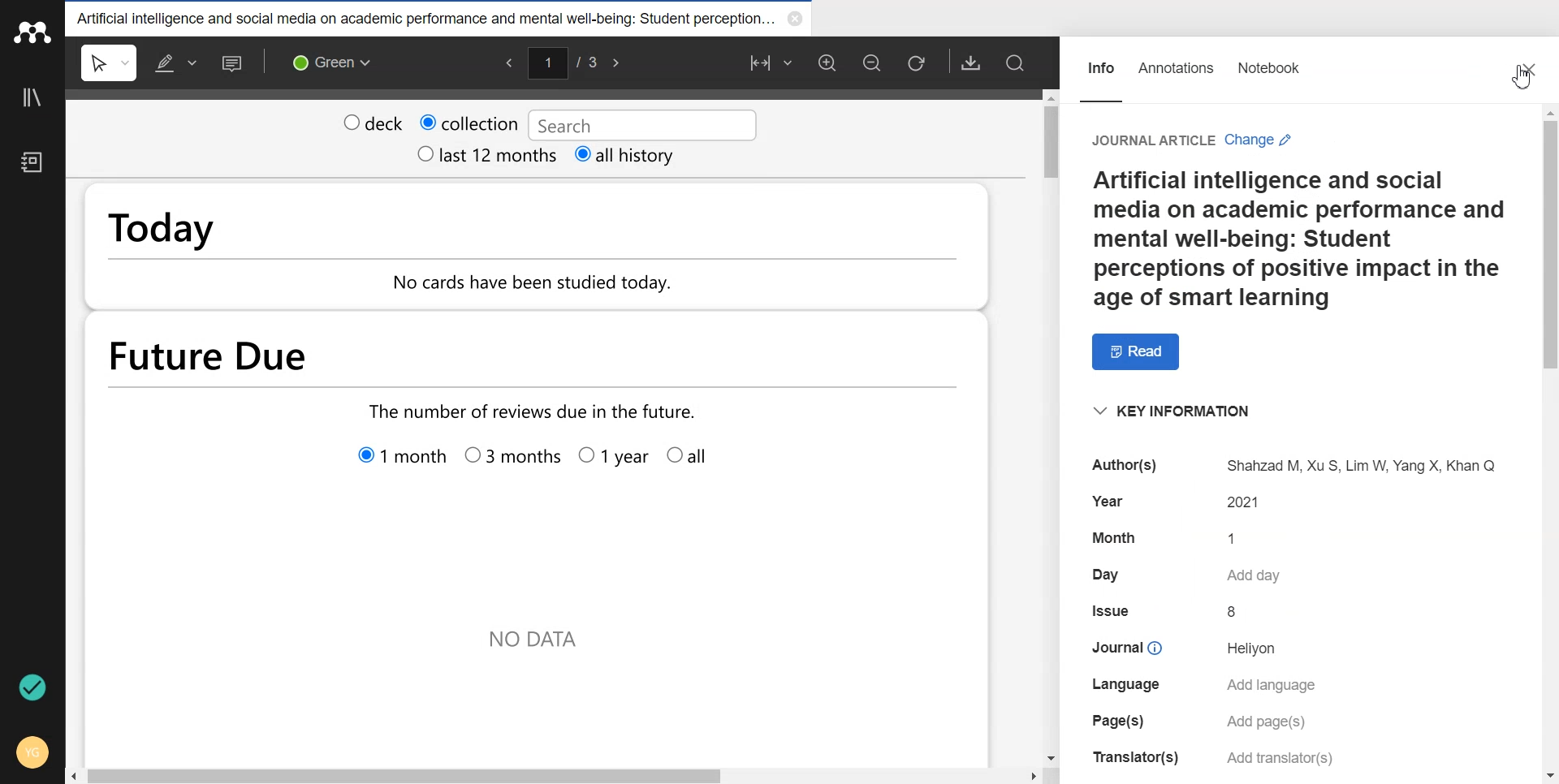 This screenshot has width=1559, height=784. I want to click on Close, so click(1523, 67).